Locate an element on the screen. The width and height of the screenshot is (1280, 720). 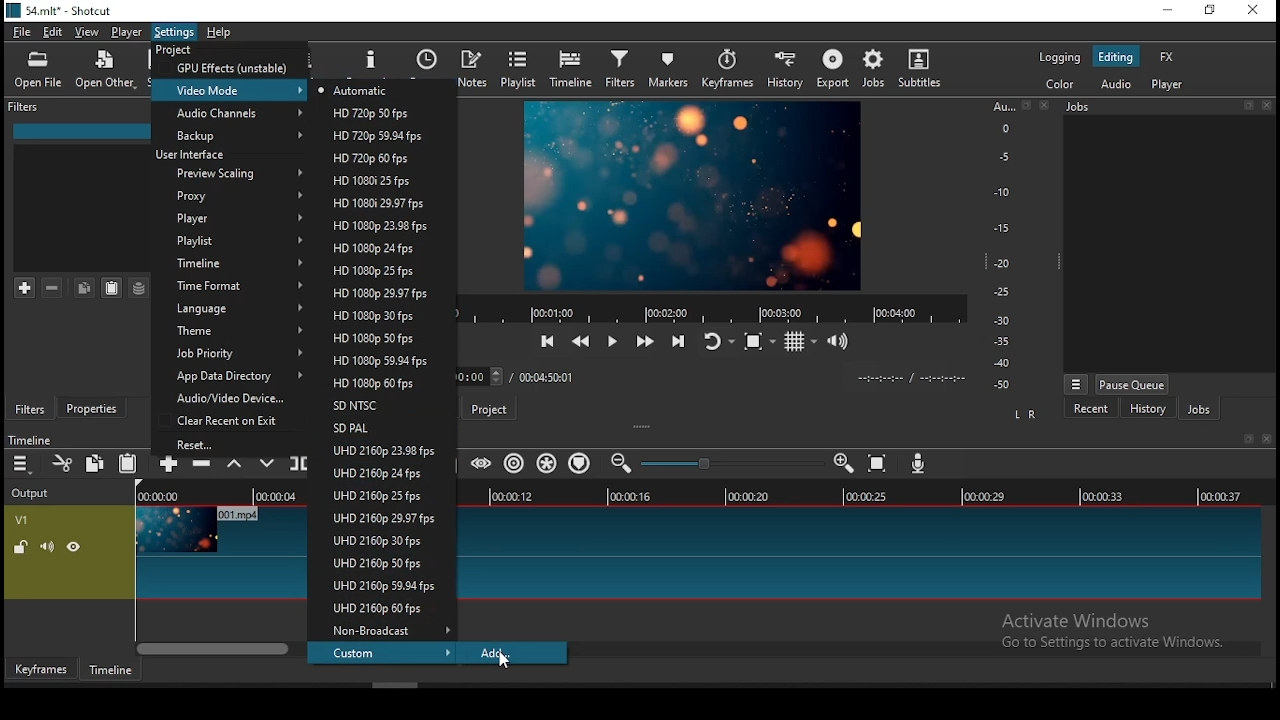
timeline is located at coordinates (573, 69).